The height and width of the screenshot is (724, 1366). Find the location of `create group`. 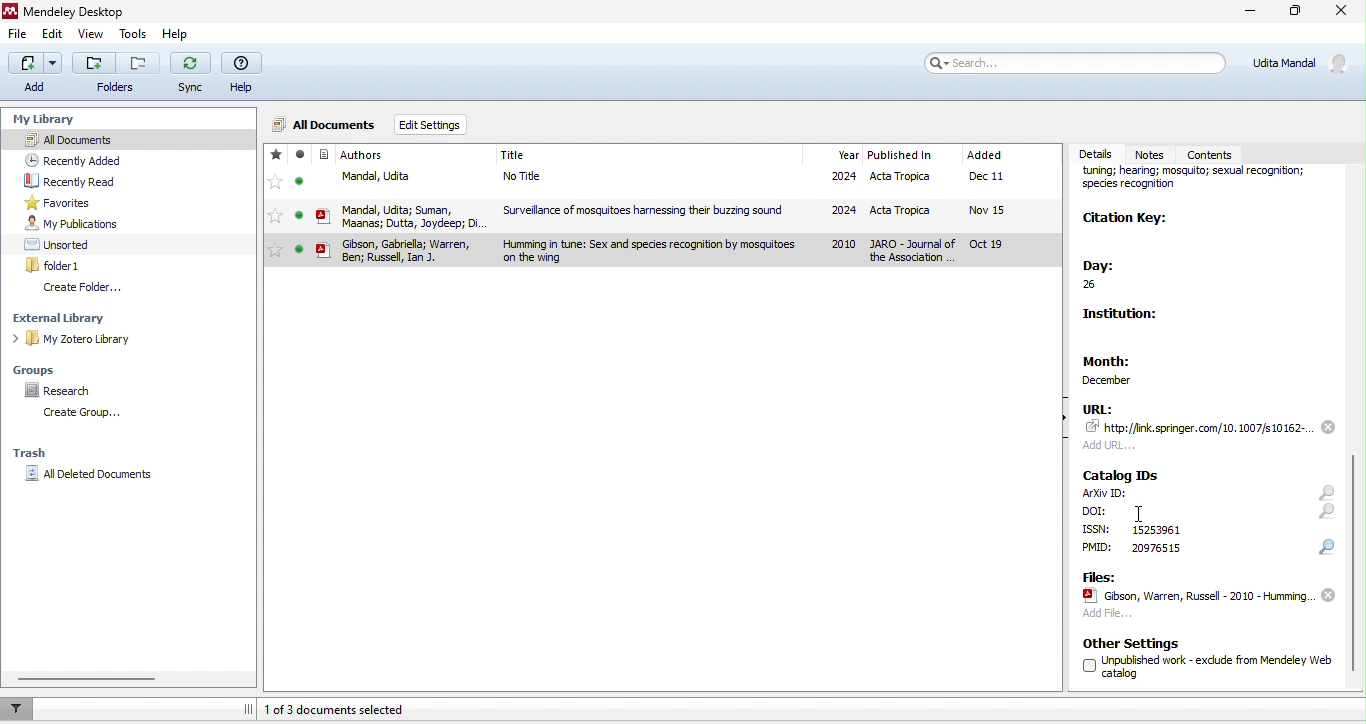

create group is located at coordinates (78, 413).